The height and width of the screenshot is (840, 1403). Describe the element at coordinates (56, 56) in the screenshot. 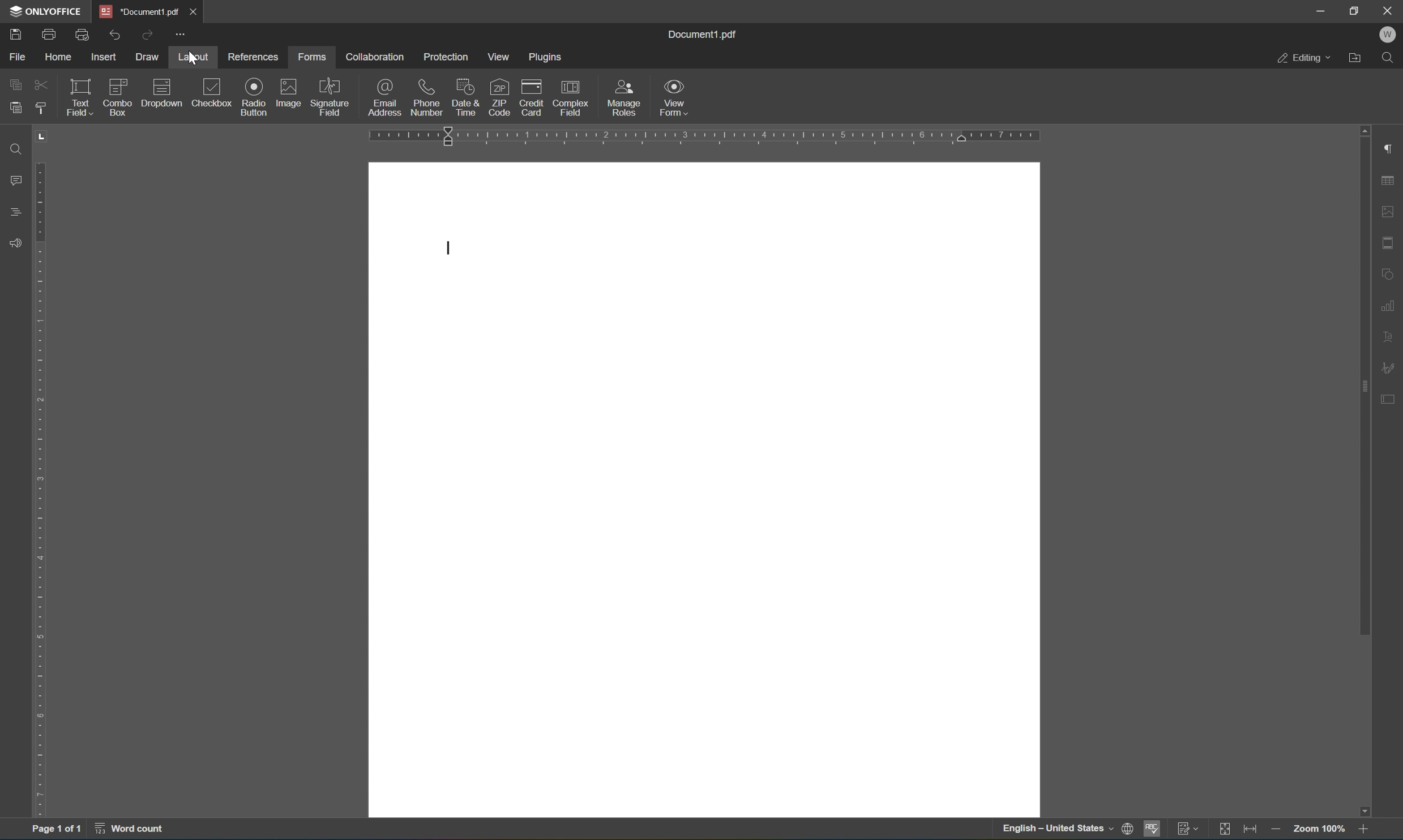

I see `home` at that location.